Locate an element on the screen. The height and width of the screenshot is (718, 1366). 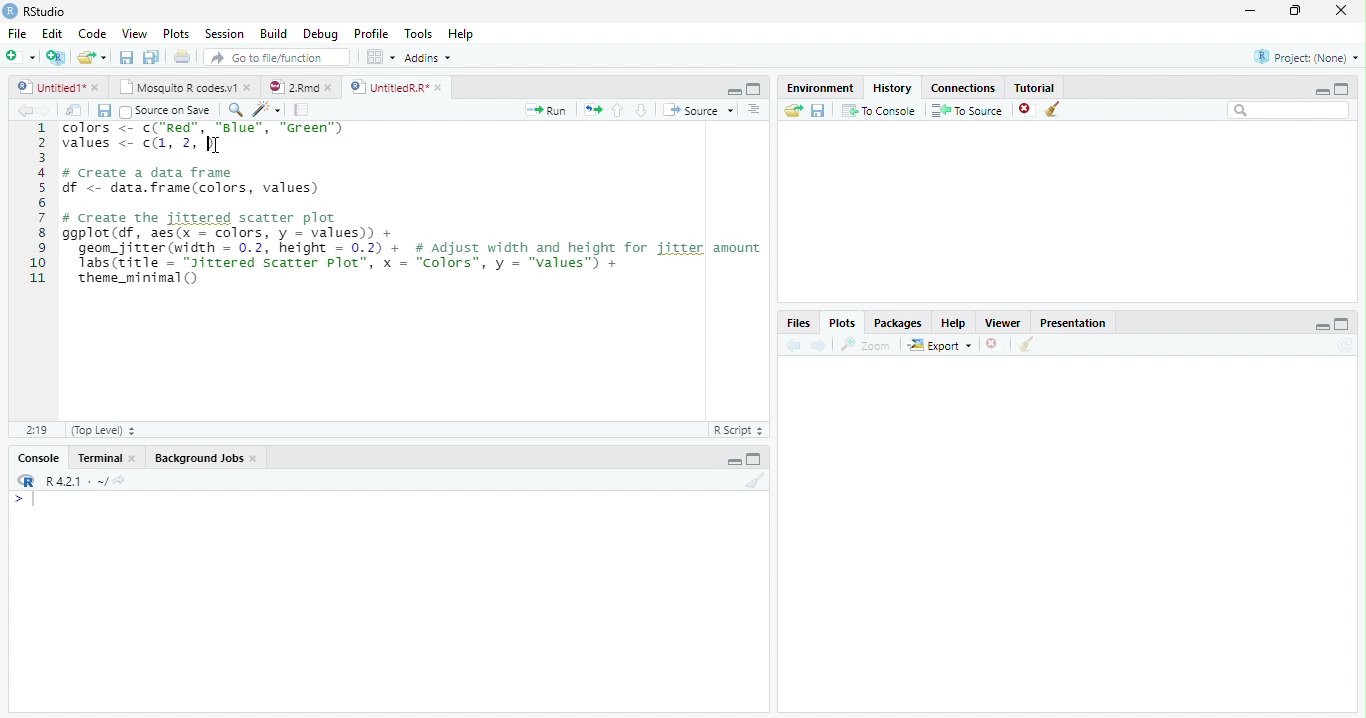
close is located at coordinates (328, 88).